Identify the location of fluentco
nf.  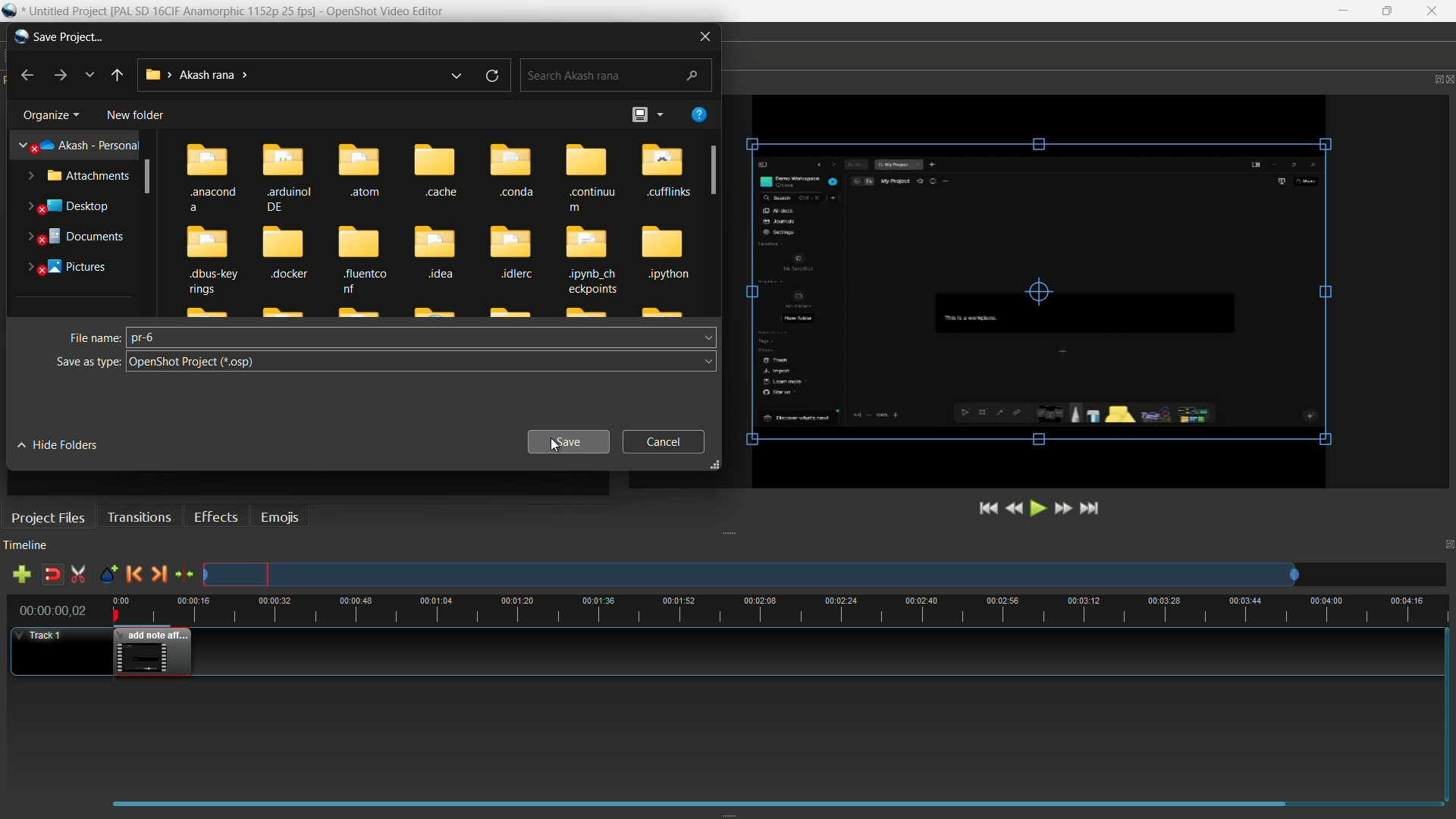
(366, 260).